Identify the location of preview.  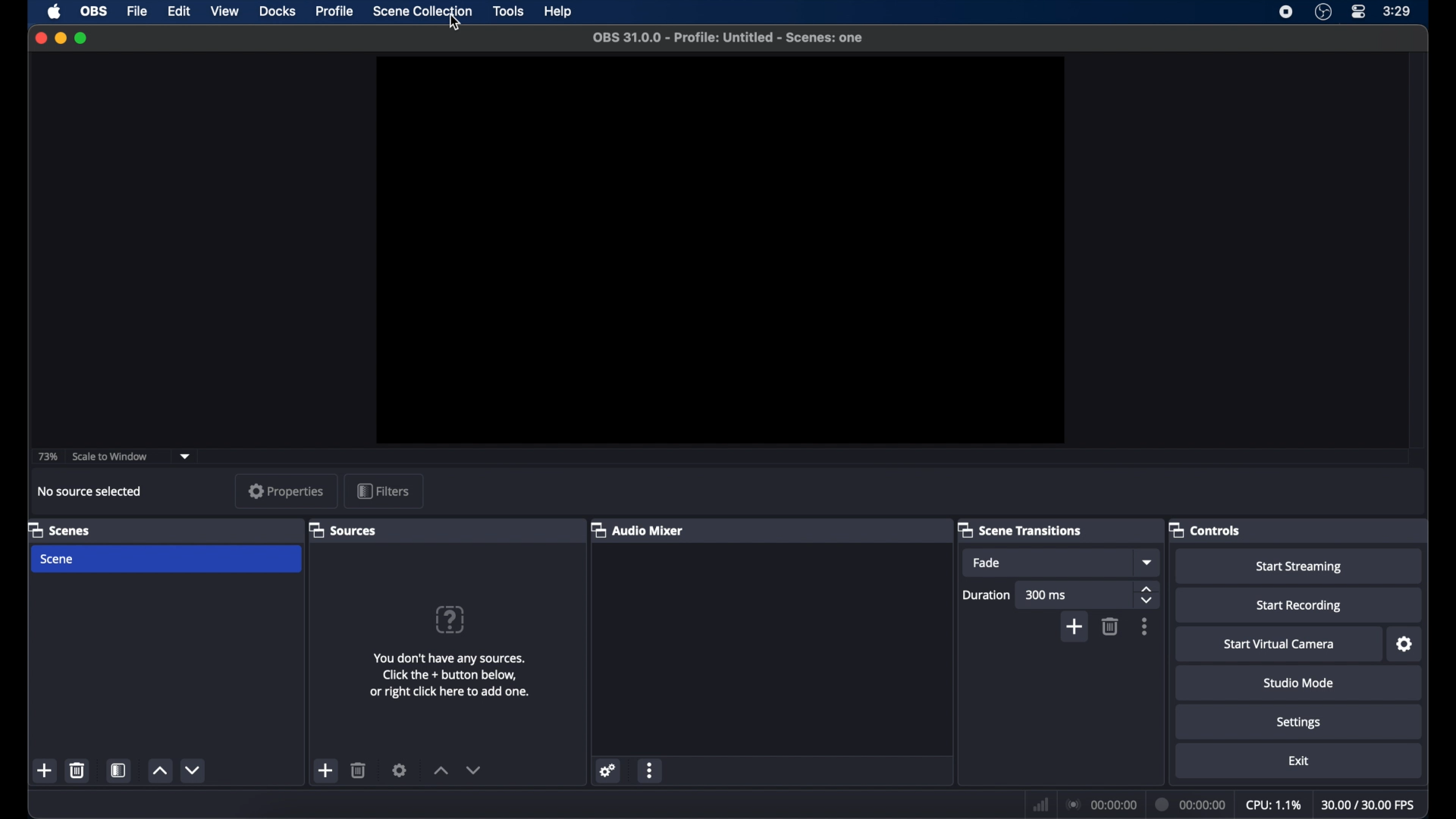
(722, 251).